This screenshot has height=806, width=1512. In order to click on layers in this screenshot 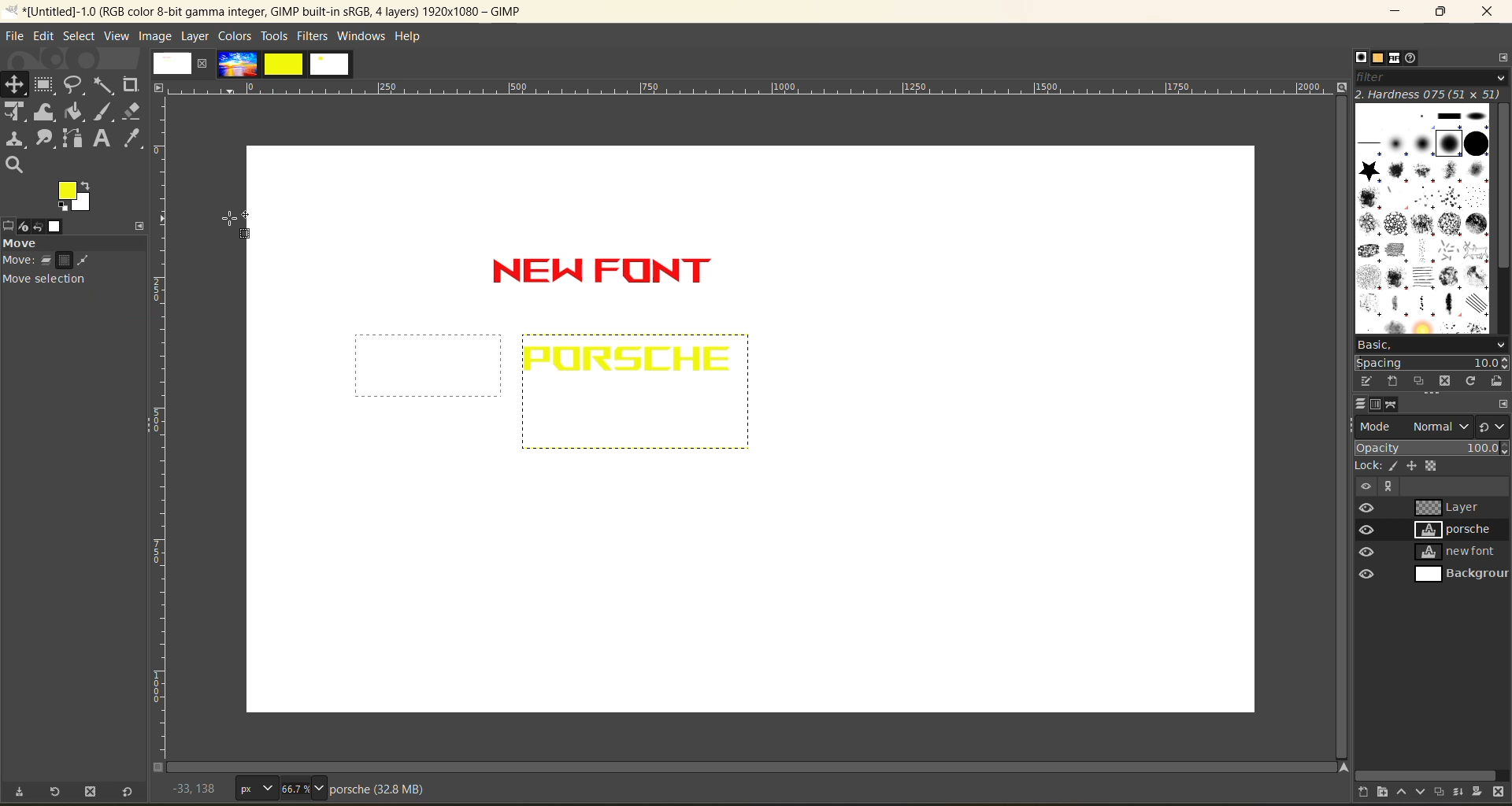, I will do `click(1354, 405)`.